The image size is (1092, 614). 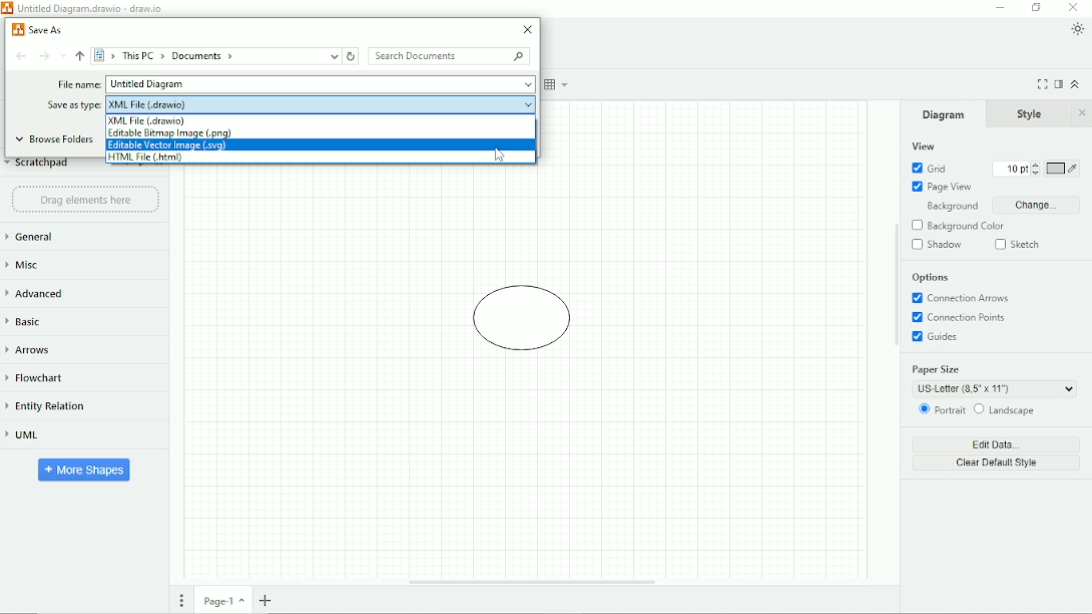 I want to click on Scratchpad, so click(x=36, y=166).